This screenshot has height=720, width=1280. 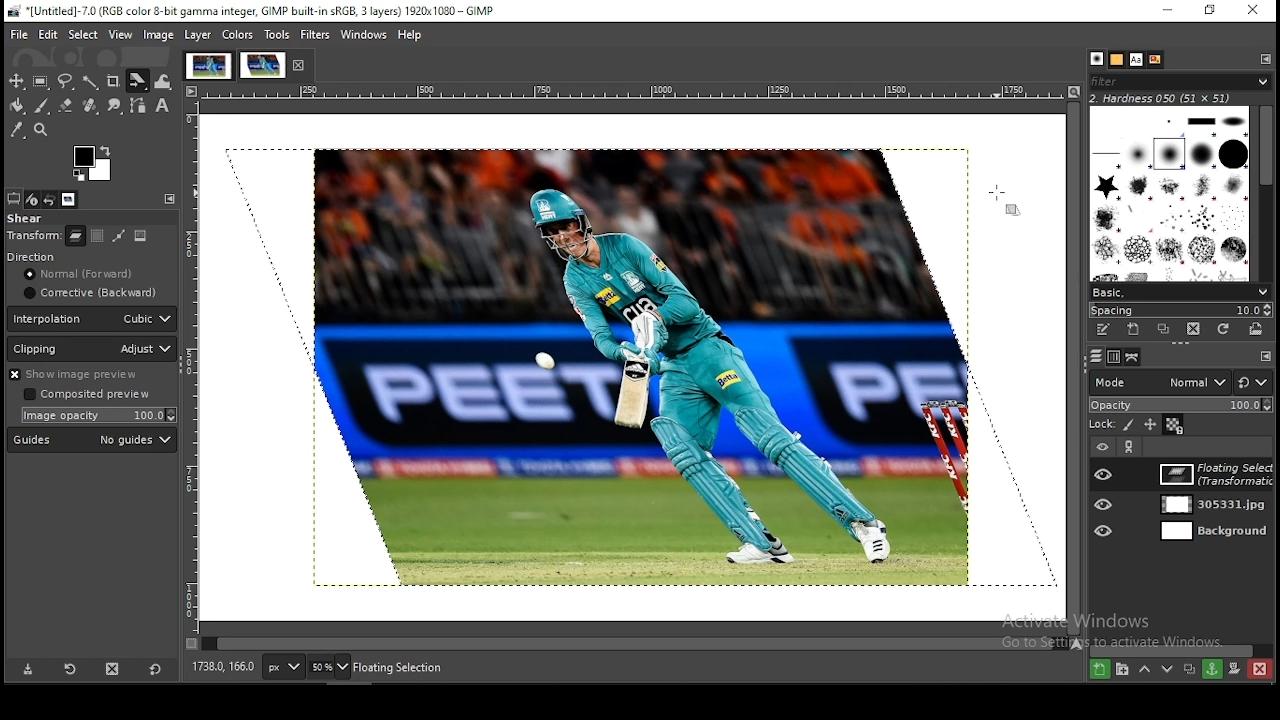 What do you see at coordinates (89, 395) in the screenshot?
I see `Composited preview` at bounding box center [89, 395].